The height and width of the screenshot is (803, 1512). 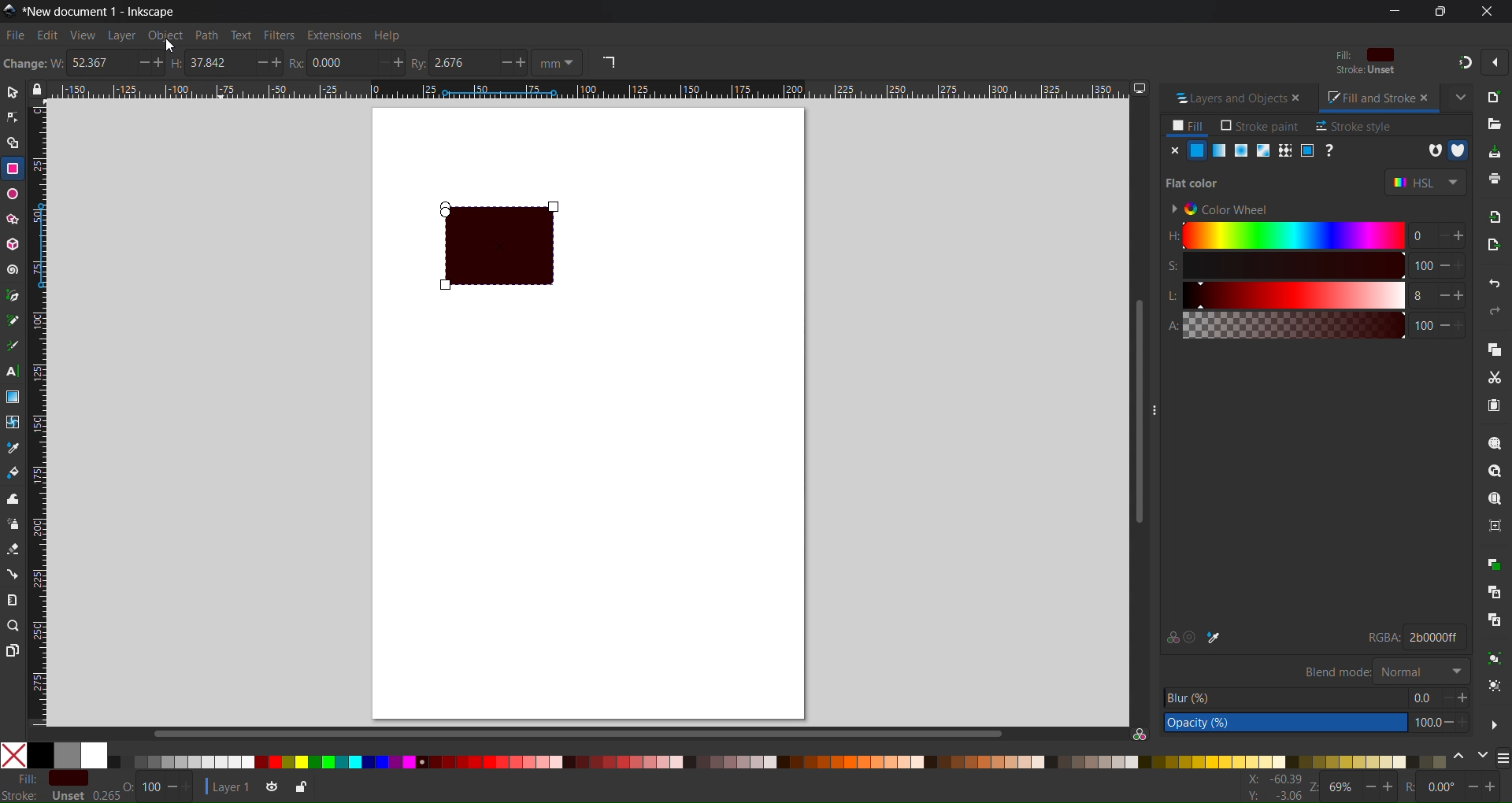 I want to click on Black, so click(x=40, y=754).